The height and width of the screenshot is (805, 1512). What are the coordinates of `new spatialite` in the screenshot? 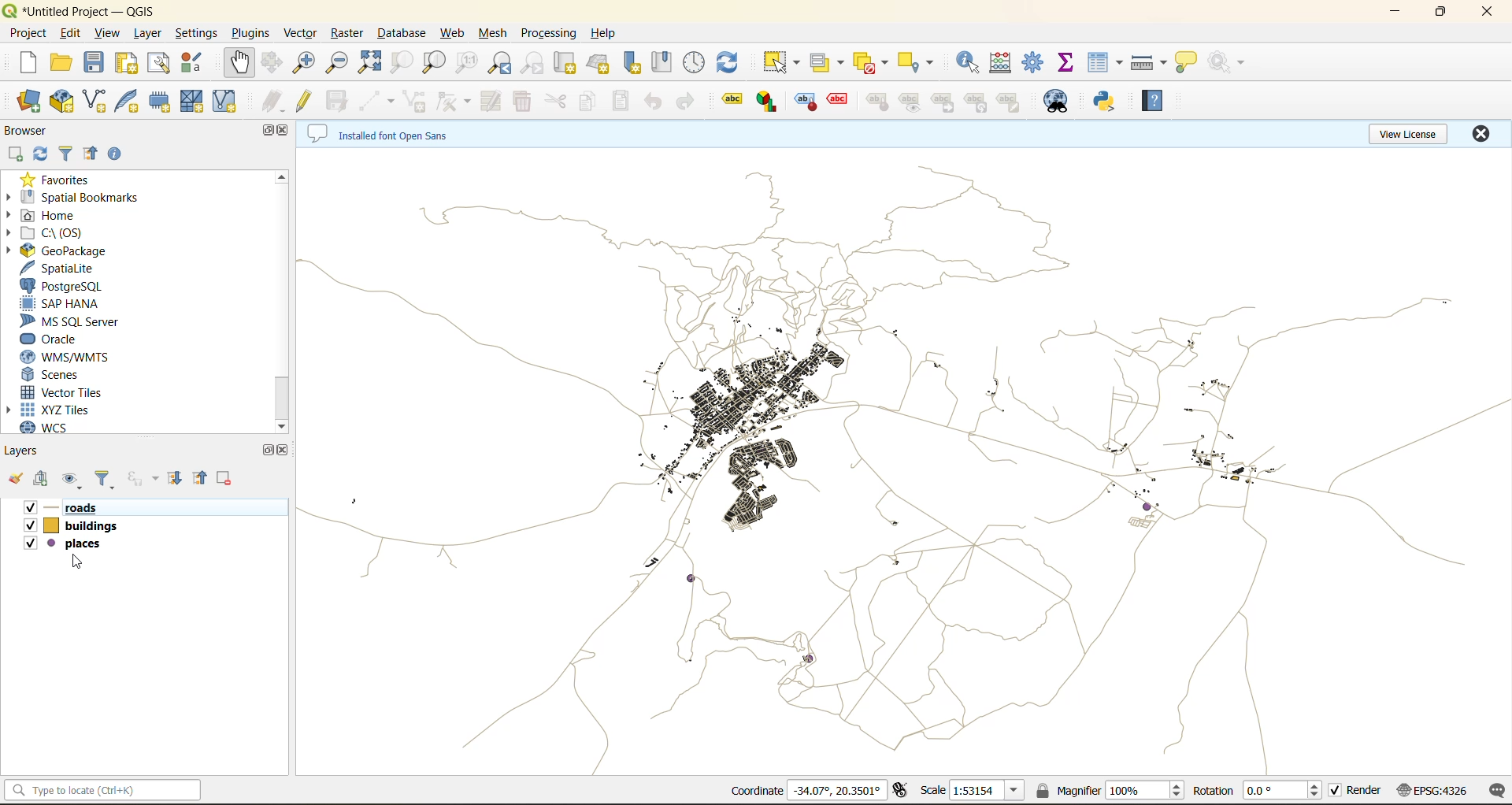 It's located at (128, 102).